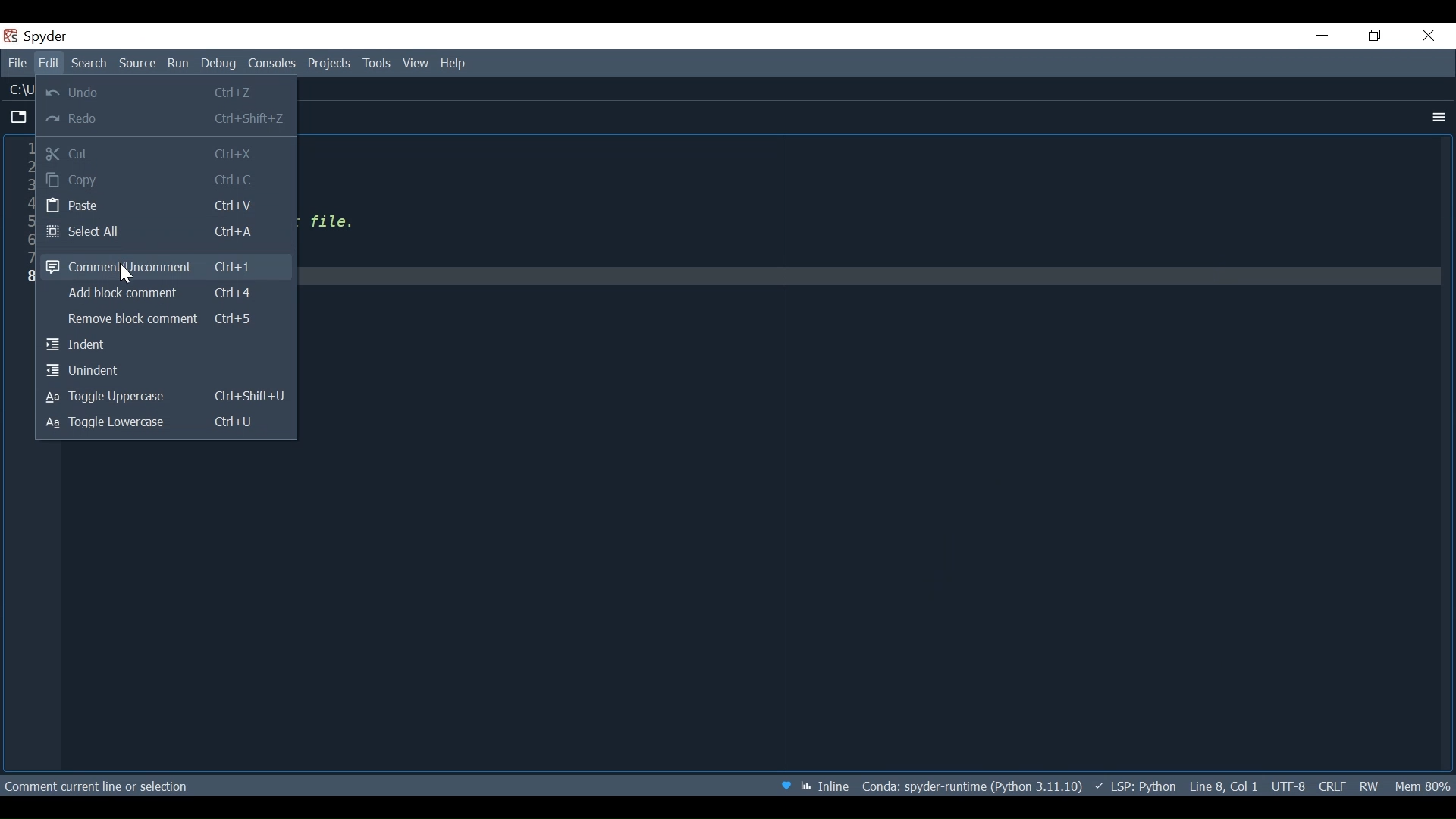 This screenshot has width=1456, height=819. I want to click on Spyder Desktop Icon, so click(11, 36).